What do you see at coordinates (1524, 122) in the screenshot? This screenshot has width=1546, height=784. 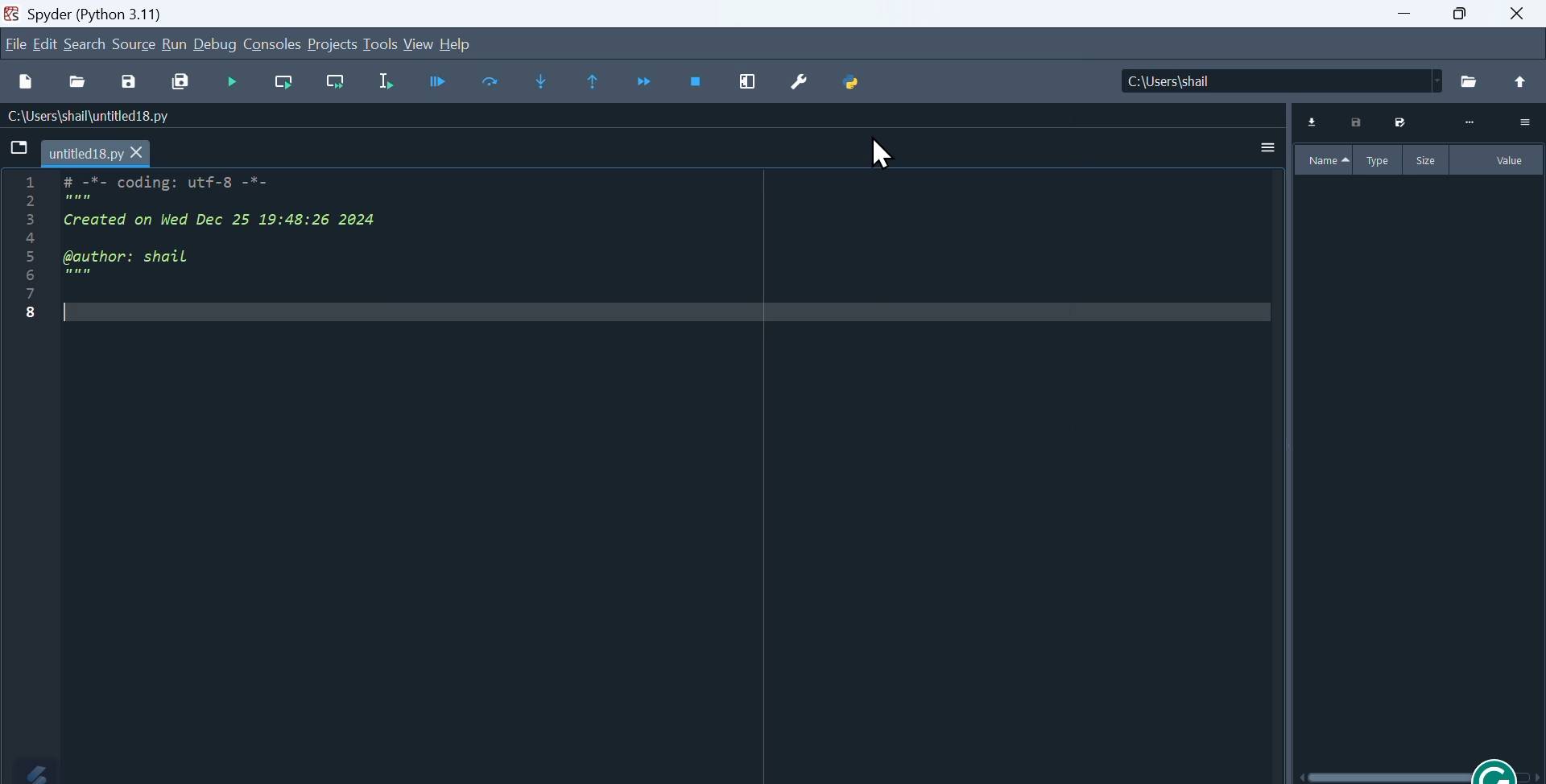 I see `more options` at bounding box center [1524, 122].